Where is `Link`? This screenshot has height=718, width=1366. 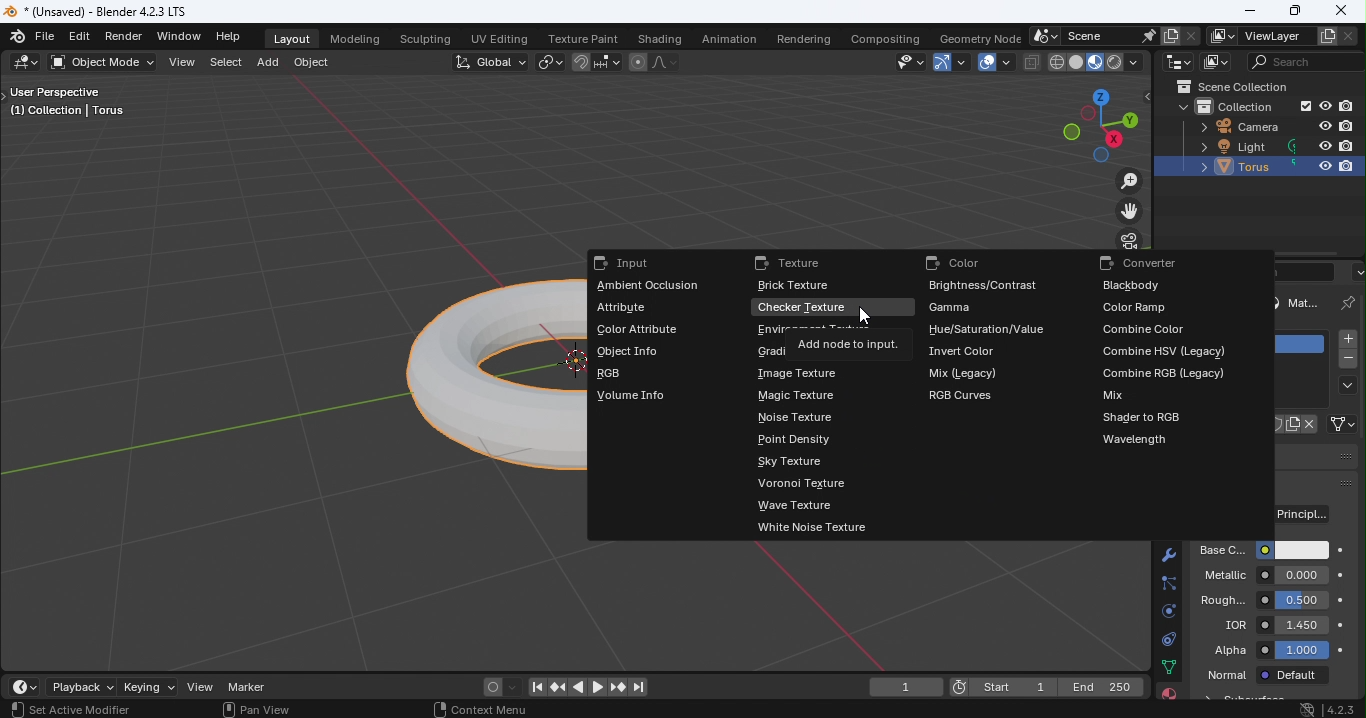 Link is located at coordinates (1343, 423).